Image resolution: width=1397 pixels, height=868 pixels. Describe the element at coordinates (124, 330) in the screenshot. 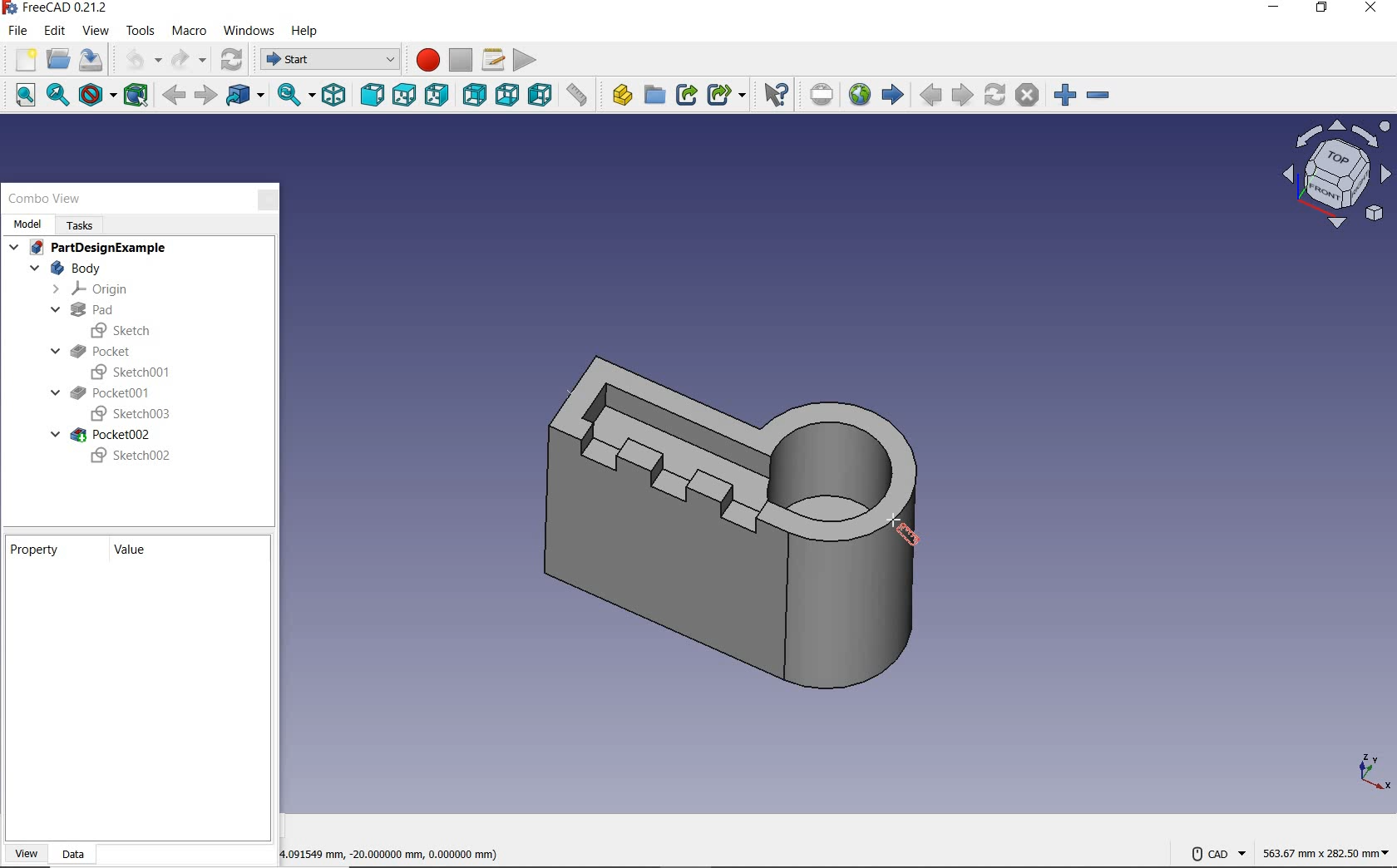

I see `SKETCH` at that location.